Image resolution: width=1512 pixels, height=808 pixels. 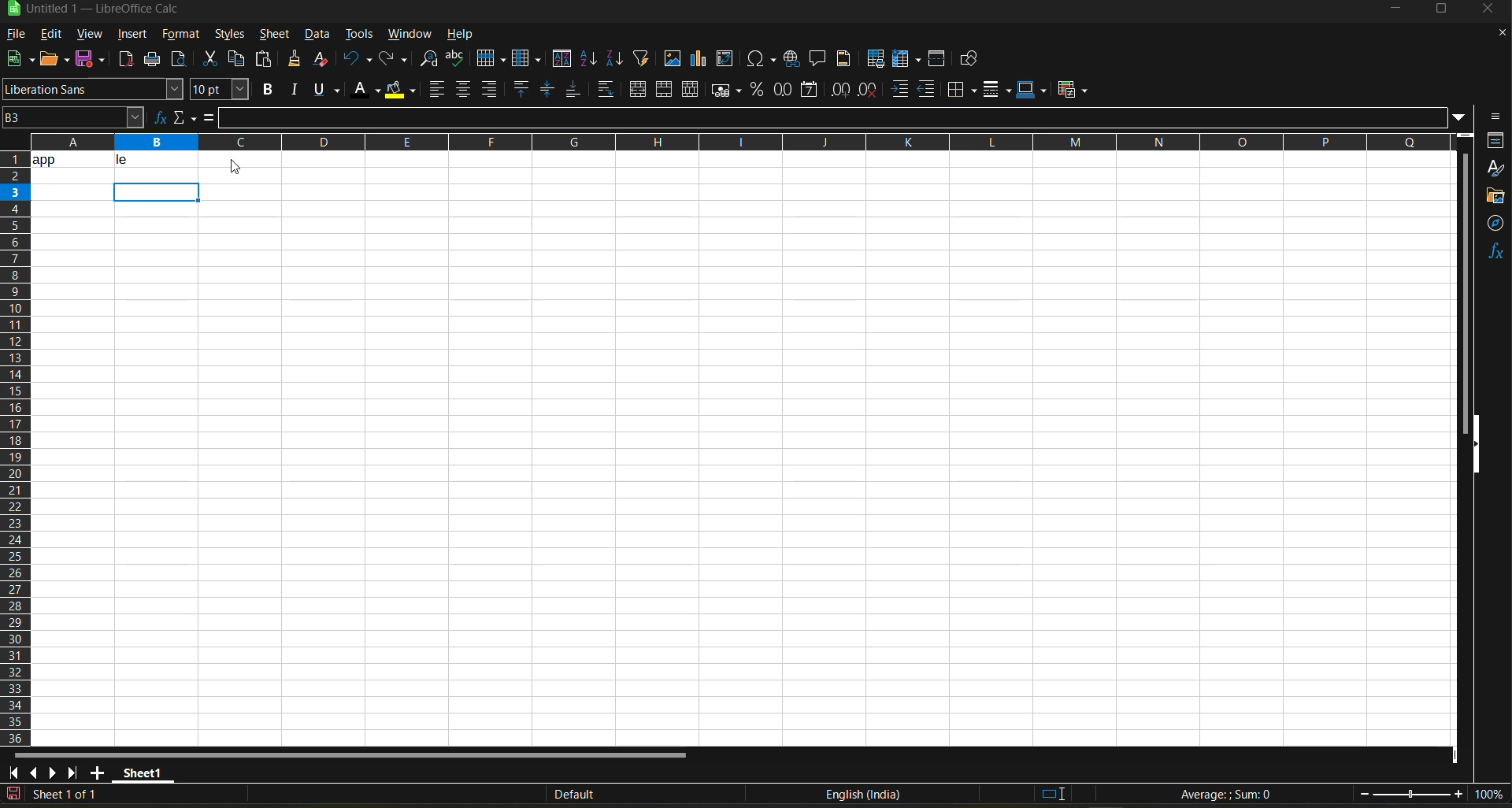 What do you see at coordinates (1440, 12) in the screenshot?
I see `maximize` at bounding box center [1440, 12].